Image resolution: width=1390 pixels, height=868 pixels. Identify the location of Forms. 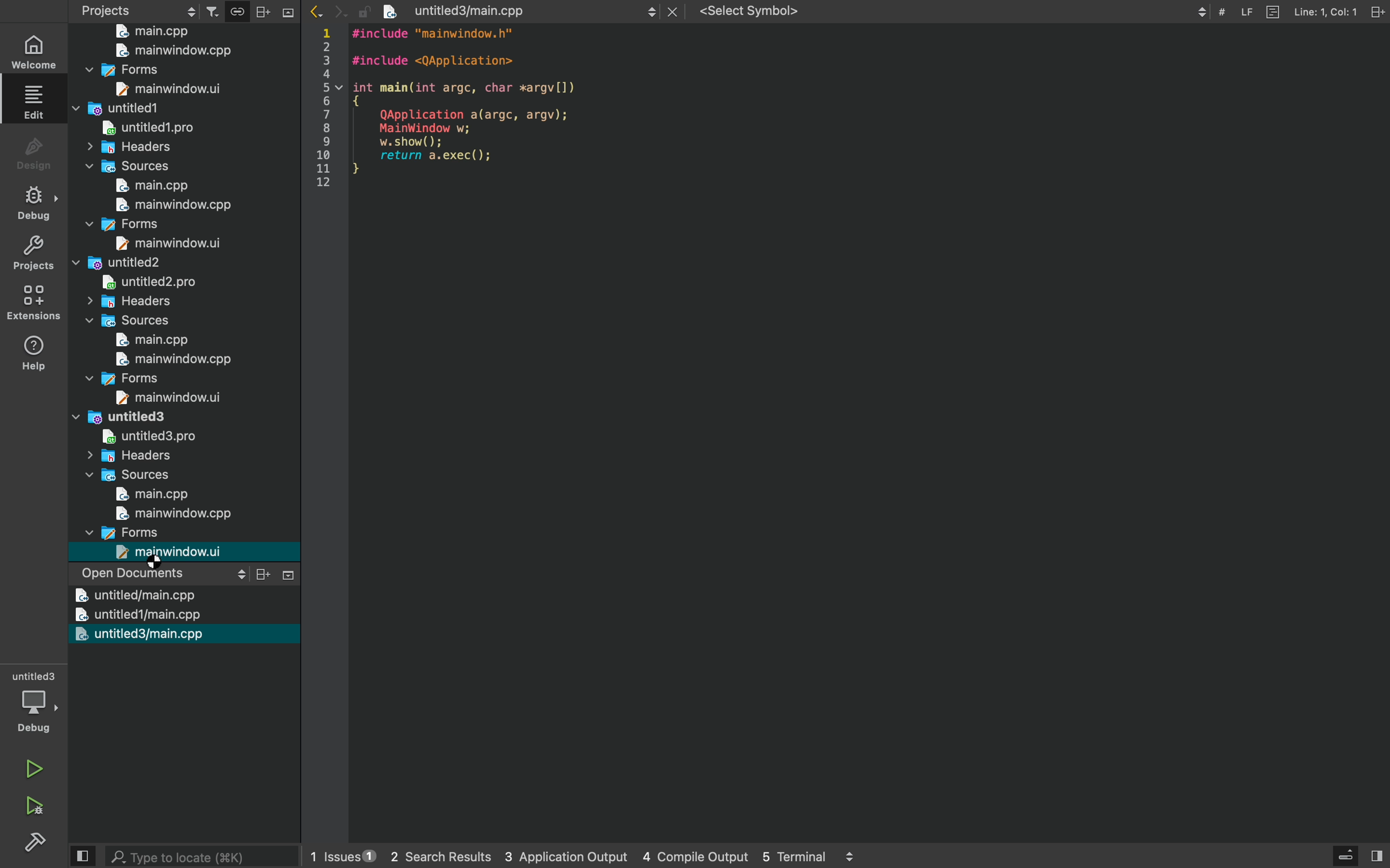
(156, 242).